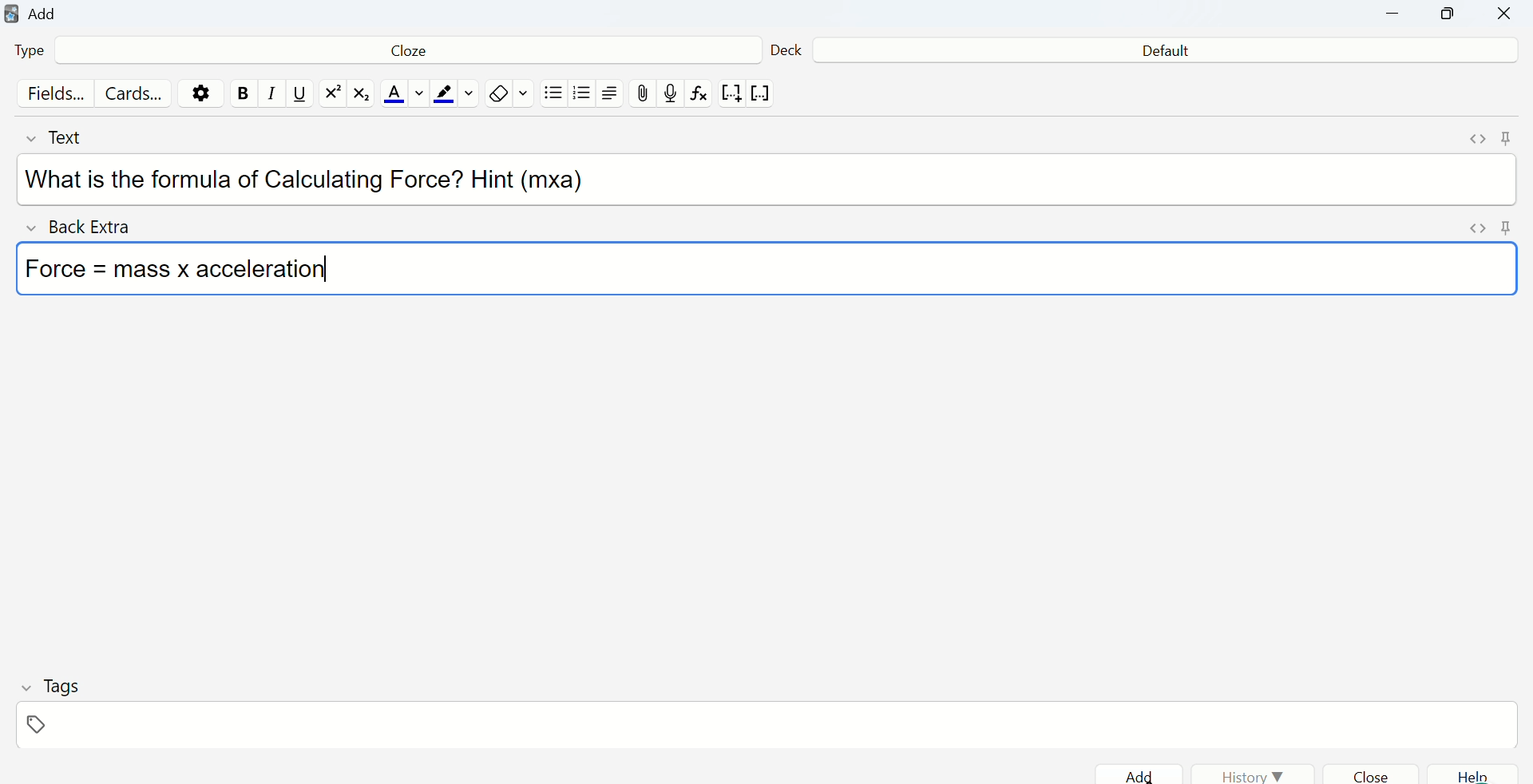 This screenshot has height=784, width=1533. I want to click on Add, so click(1143, 772).